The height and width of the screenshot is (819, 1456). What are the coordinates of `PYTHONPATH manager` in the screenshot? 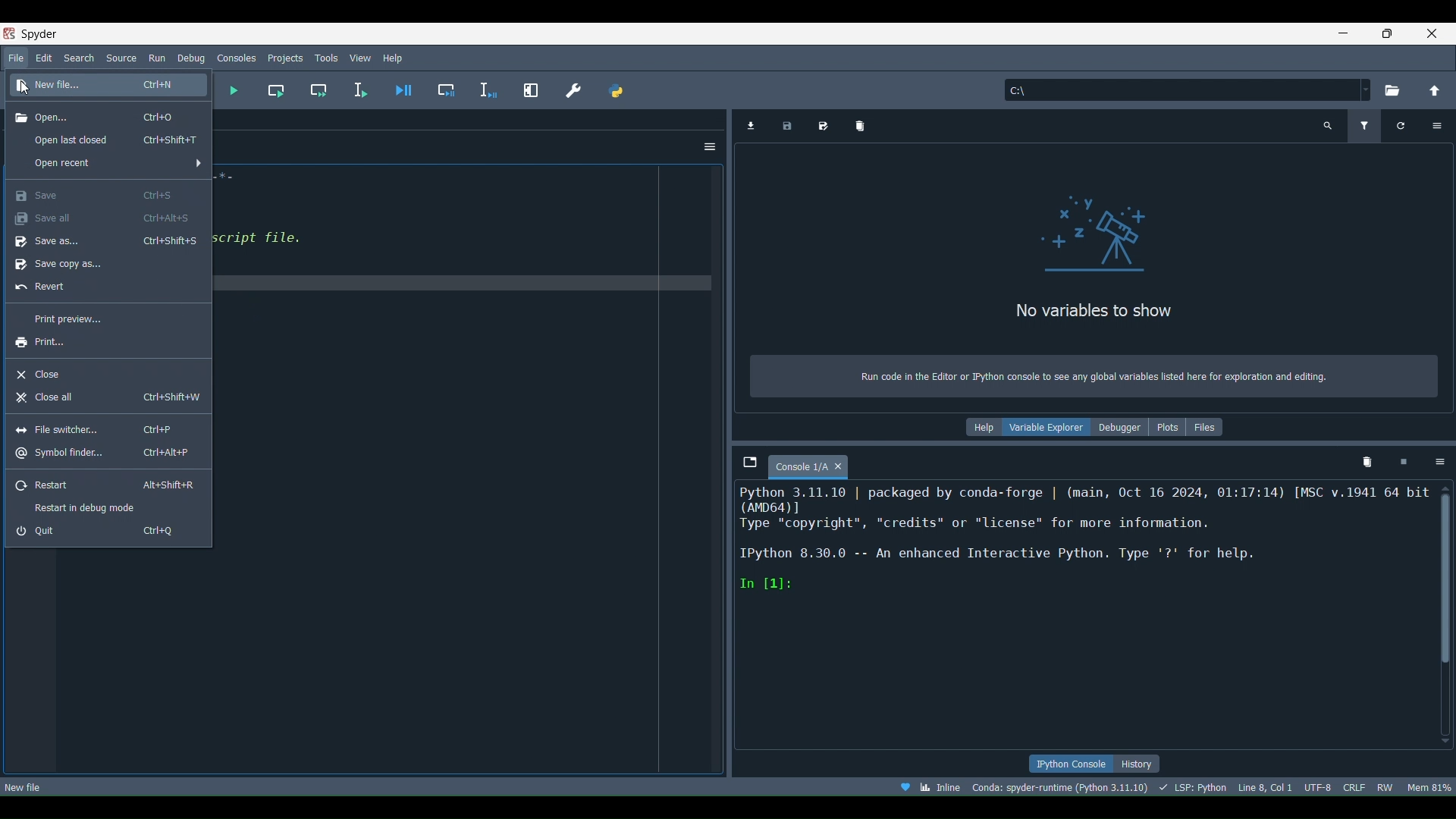 It's located at (617, 88).